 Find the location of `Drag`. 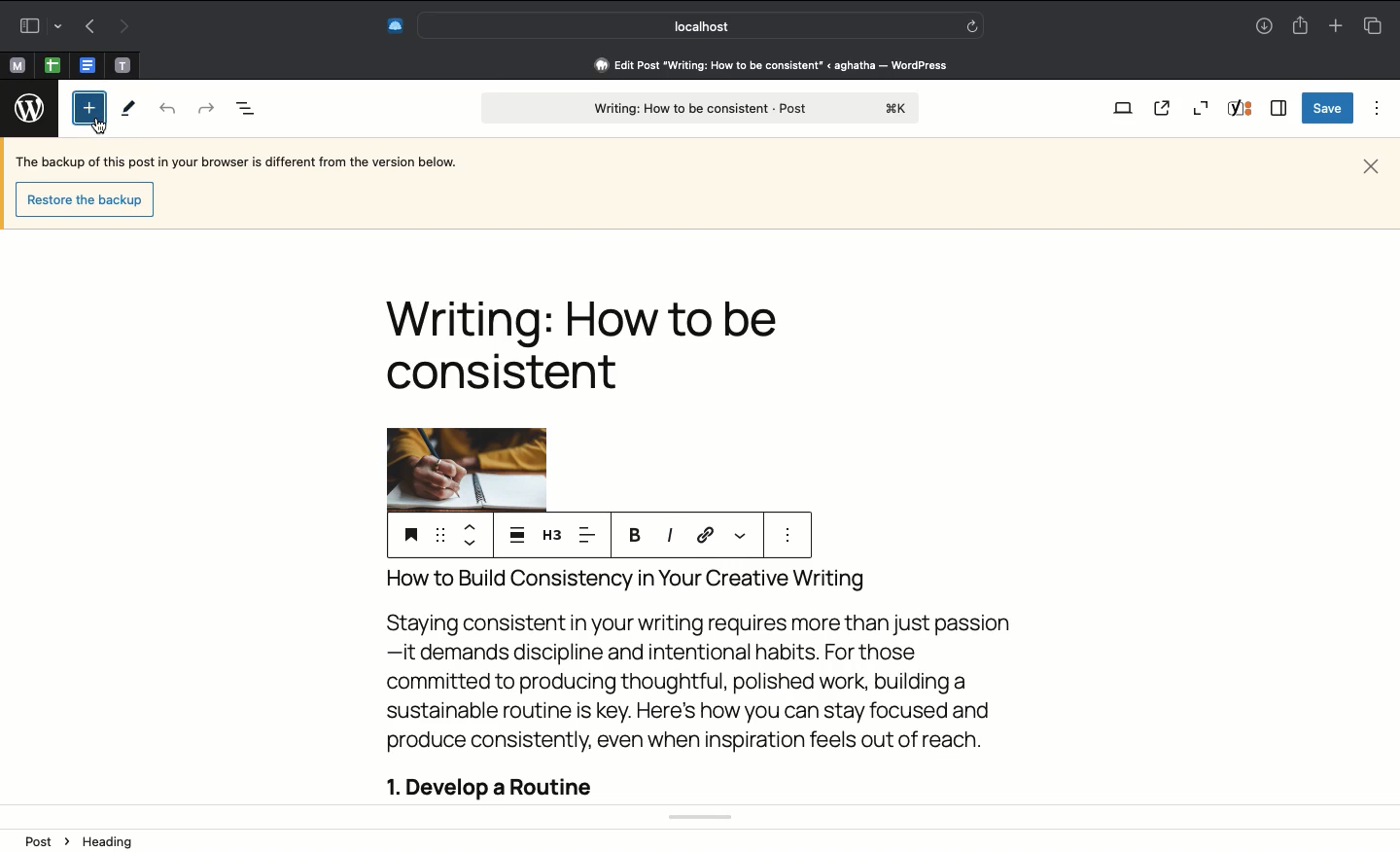

Drag is located at coordinates (440, 531).